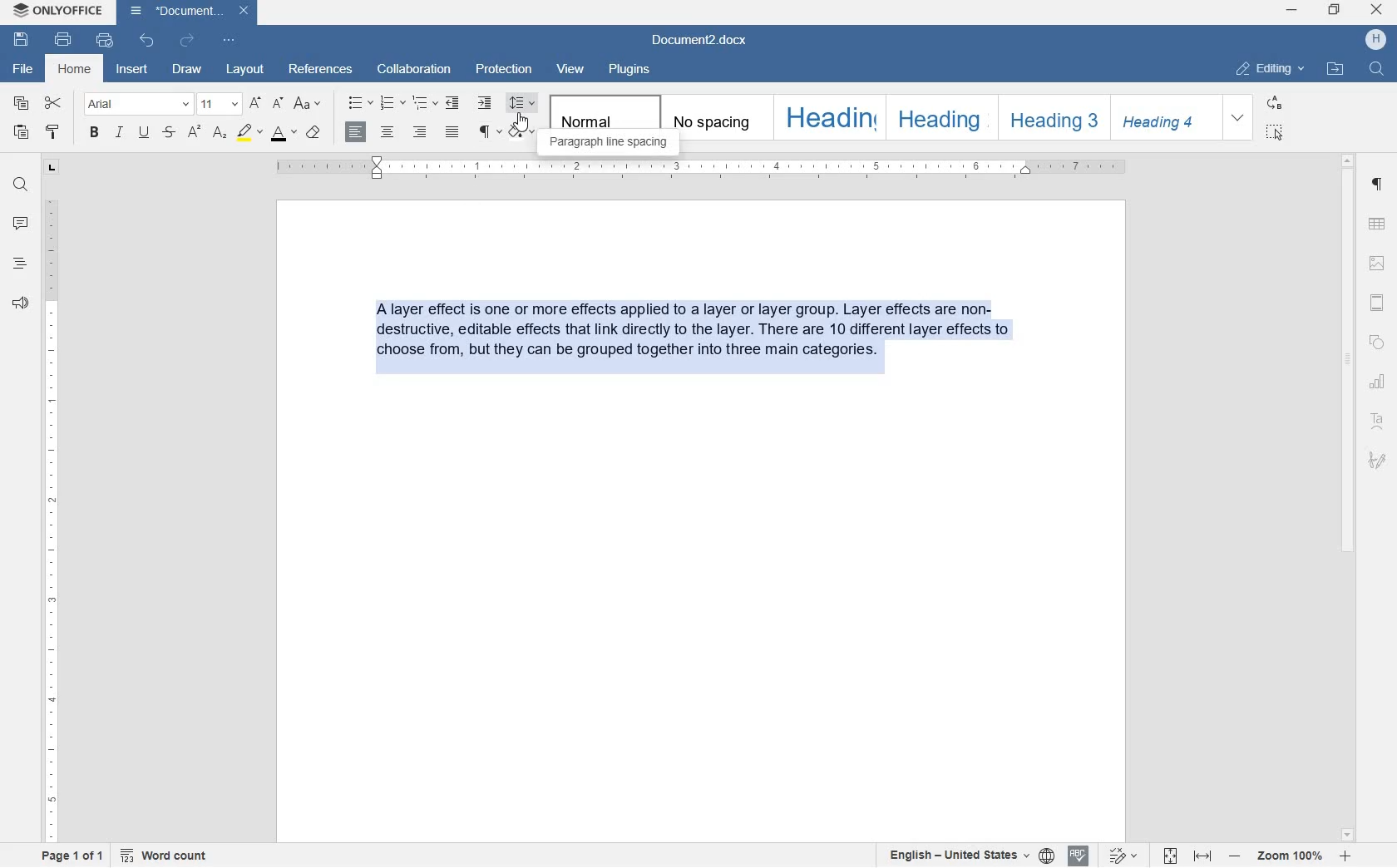 The height and width of the screenshot is (868, 1397). I want to click on underline, so click(146, 133).